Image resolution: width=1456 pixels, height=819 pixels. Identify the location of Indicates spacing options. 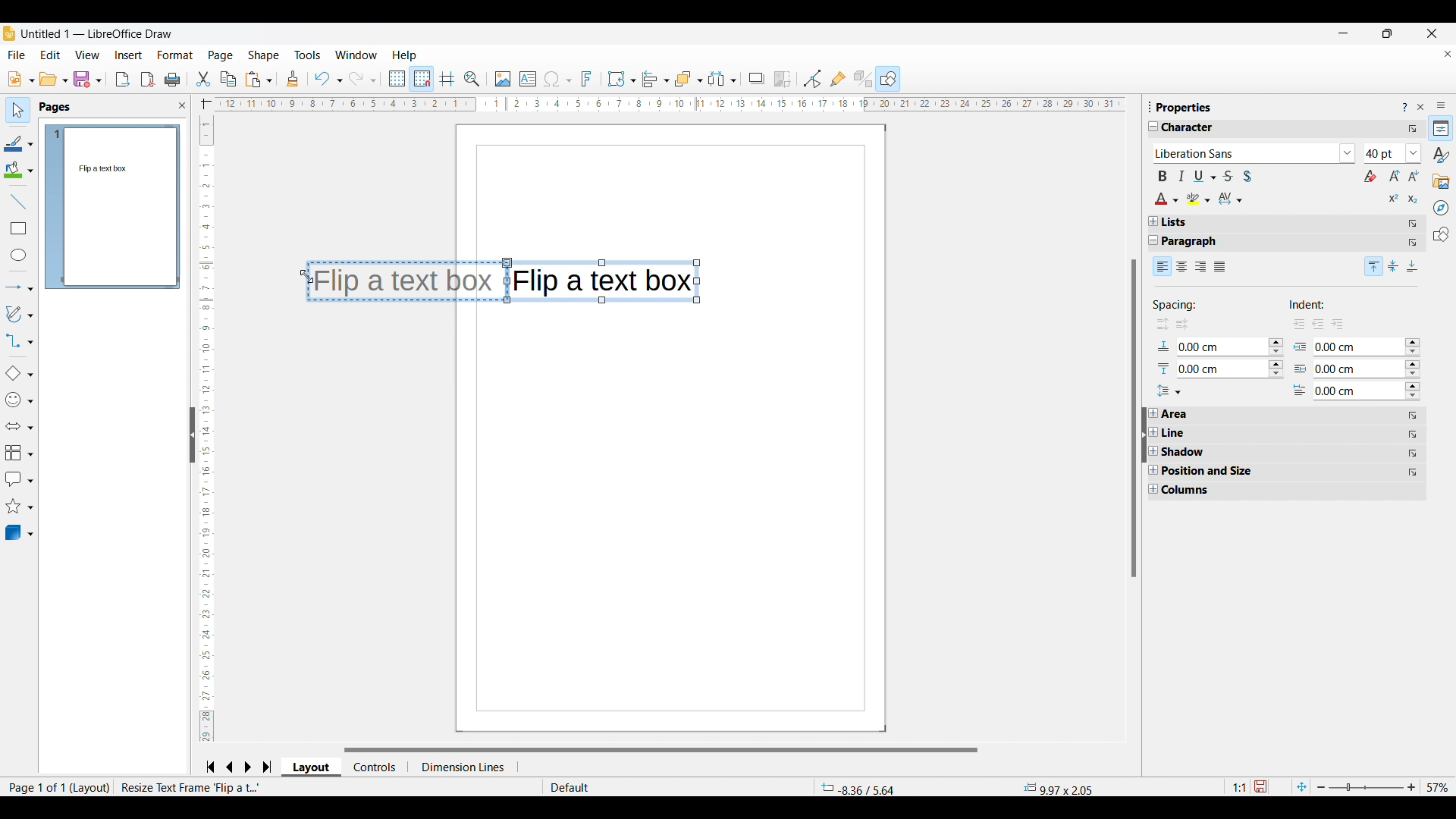
(1176, 306).